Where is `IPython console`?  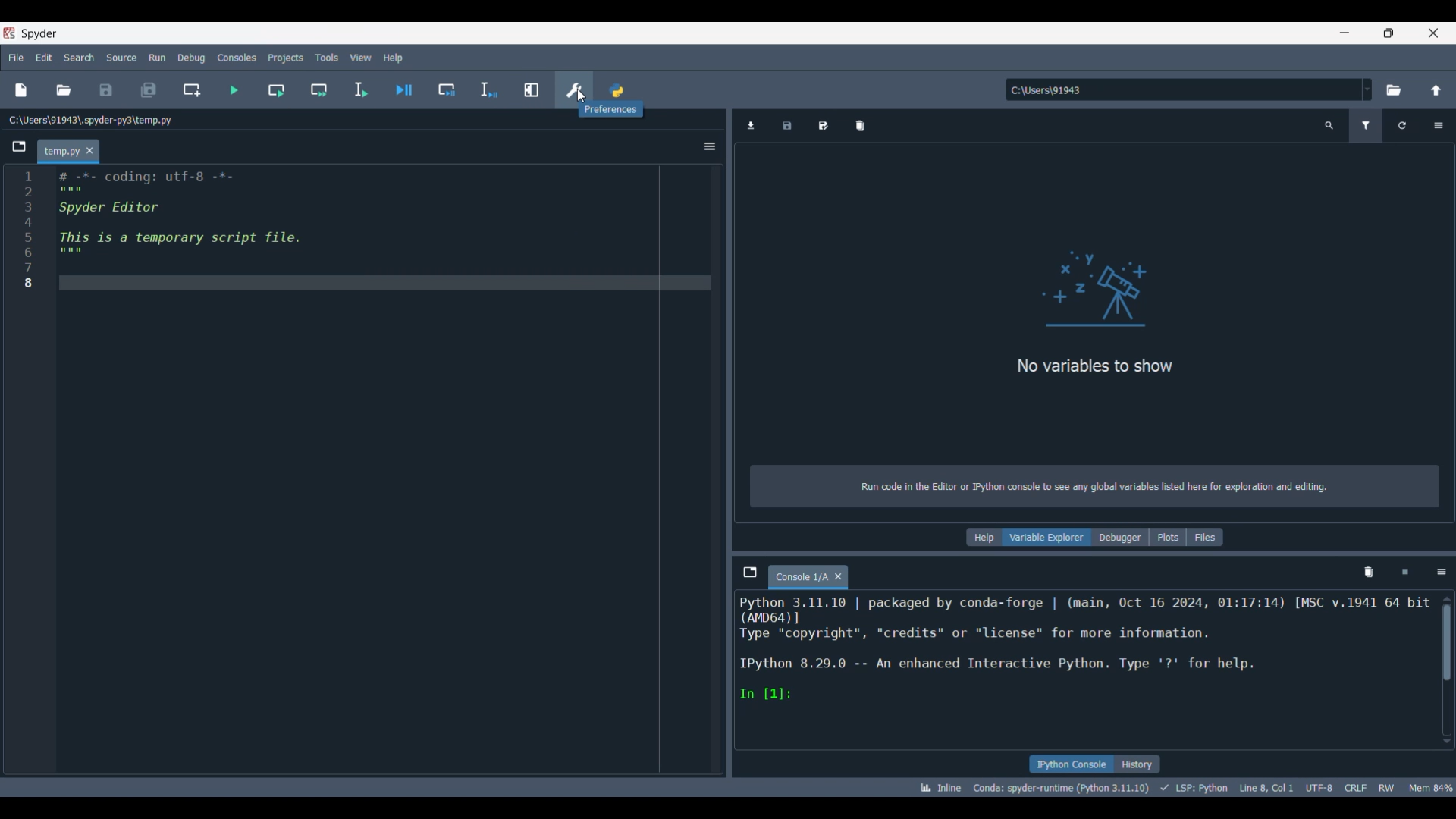
IPython console is located at coordinates (1071, 764).